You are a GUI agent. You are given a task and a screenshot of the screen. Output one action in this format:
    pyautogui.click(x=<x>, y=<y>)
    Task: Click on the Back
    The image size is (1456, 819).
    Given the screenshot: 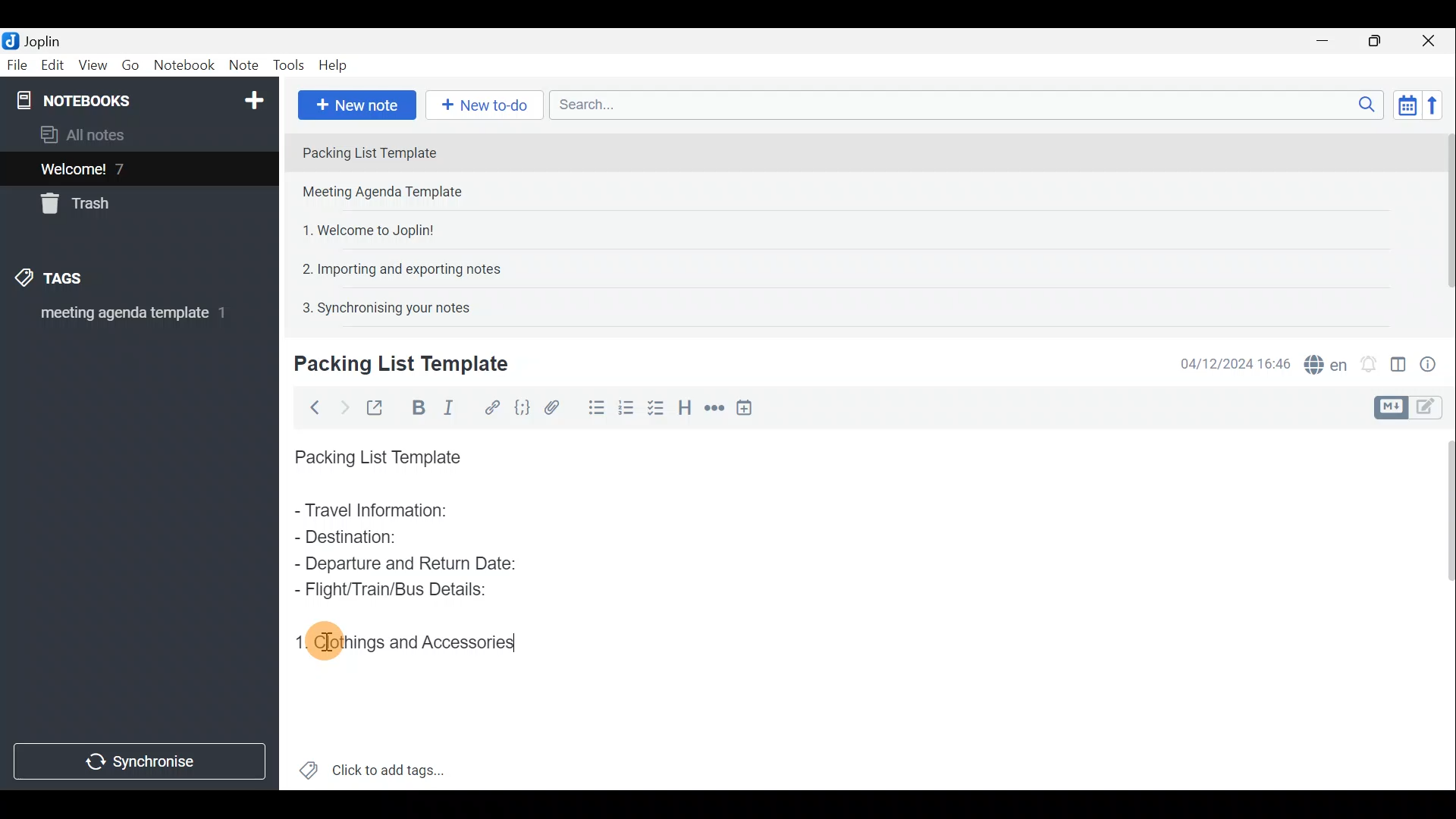 What is the action you would take?
    pyautogui.click(x=312, y=407)
    